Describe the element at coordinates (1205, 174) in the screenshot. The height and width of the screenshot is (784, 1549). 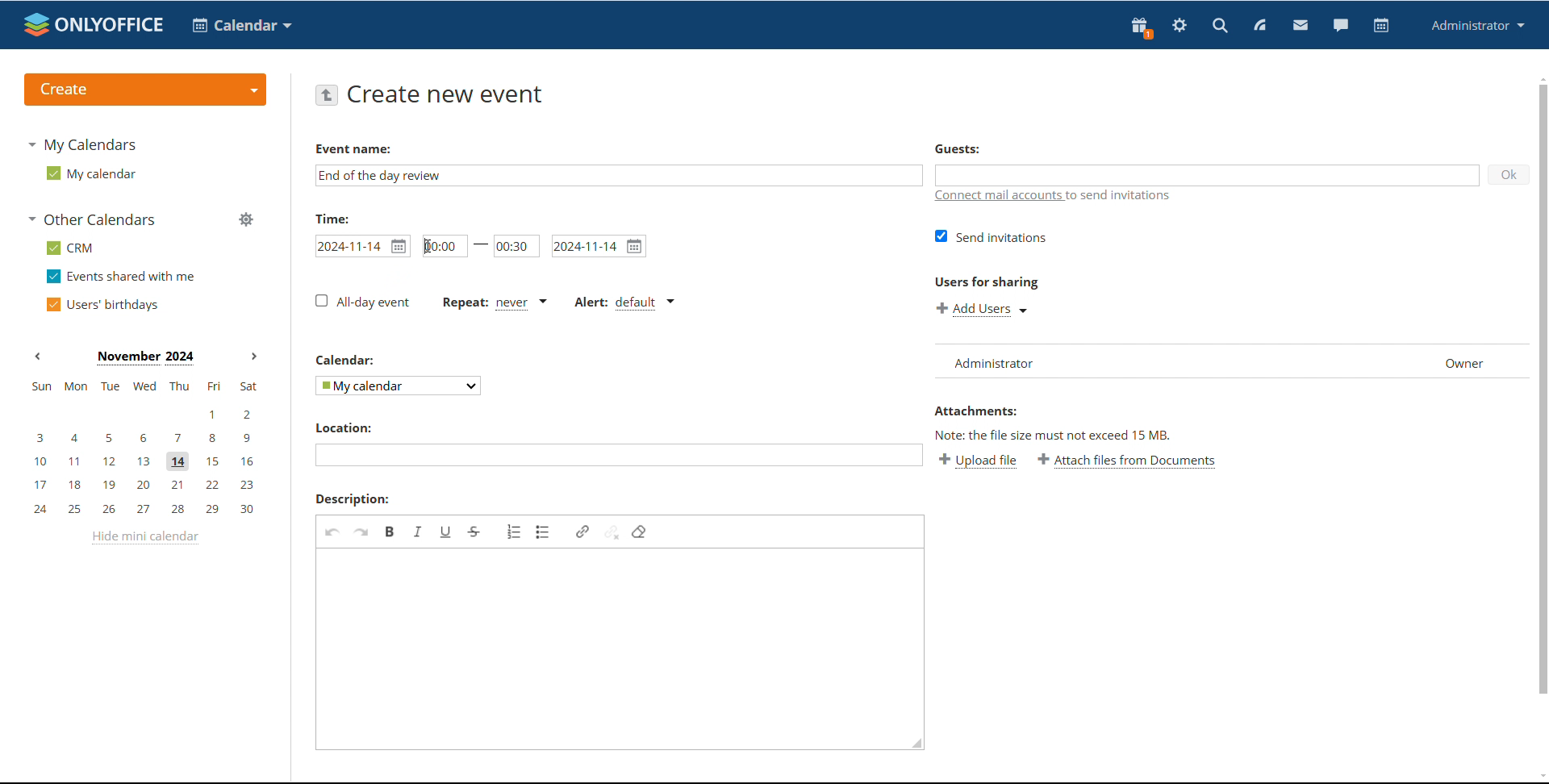
I see `add guests` at that location.